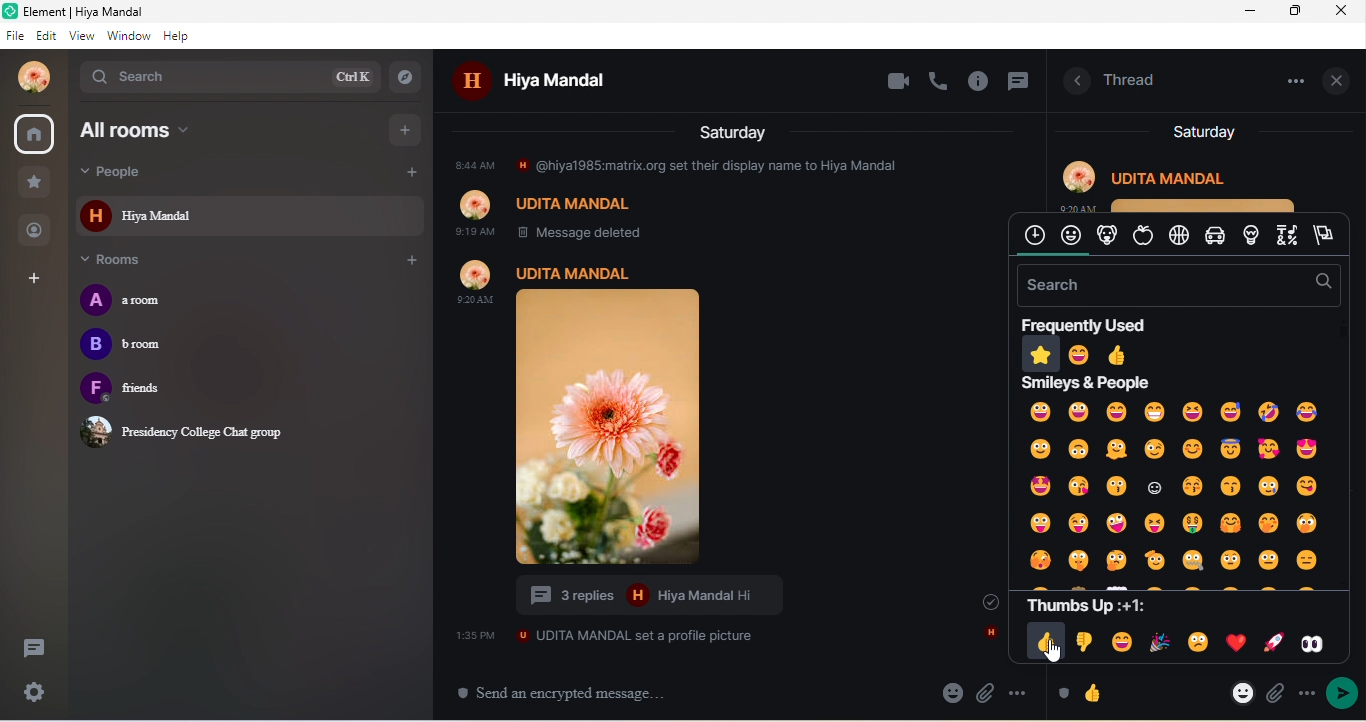  I want to click on scroll to most recent message, so click(981, 601).